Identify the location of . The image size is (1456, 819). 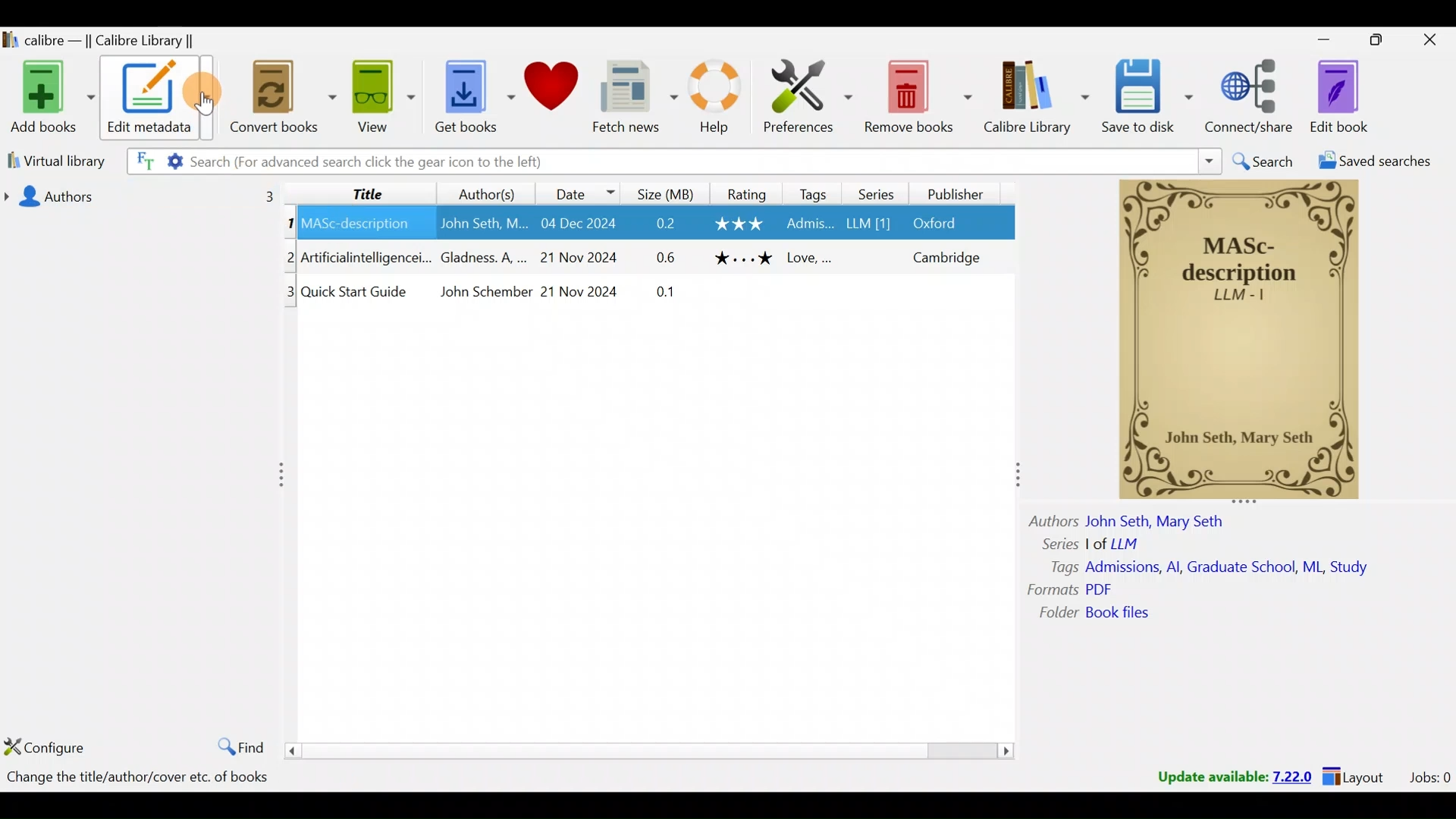
(482, 224).